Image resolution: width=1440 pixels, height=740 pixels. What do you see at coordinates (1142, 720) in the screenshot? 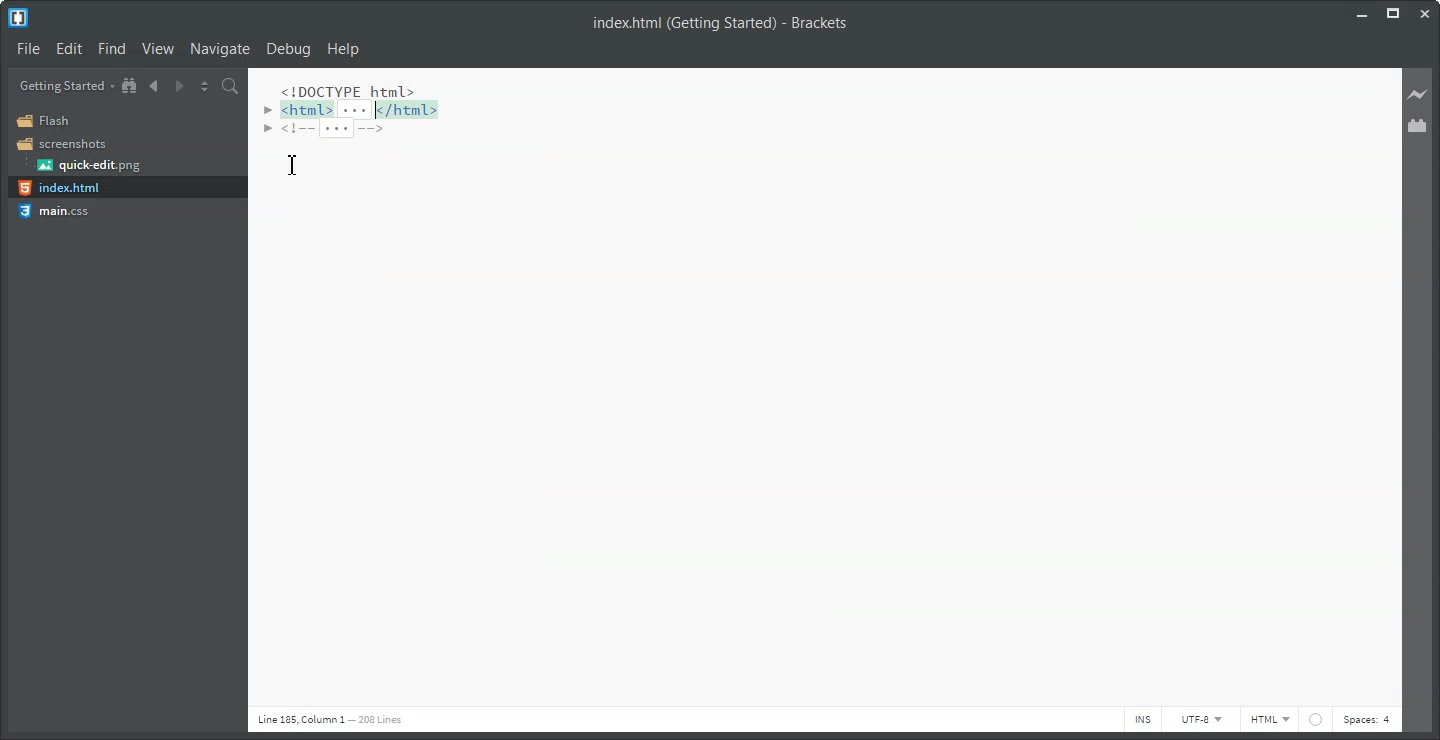
I see `INS` at bounding box center [1142, 720].